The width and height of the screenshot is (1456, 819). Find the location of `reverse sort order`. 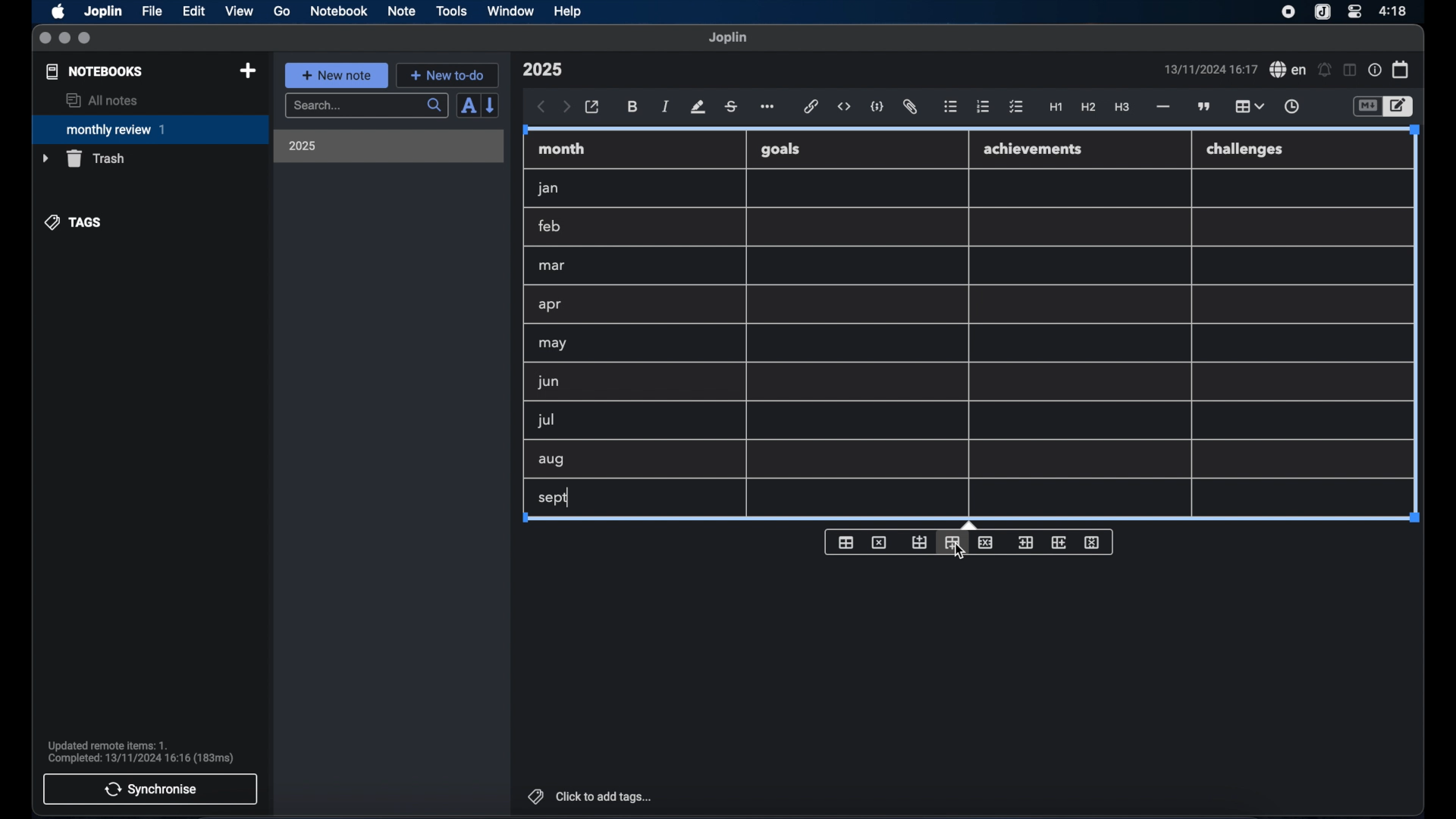

reverse sort order is located at coordinates (491, 105).